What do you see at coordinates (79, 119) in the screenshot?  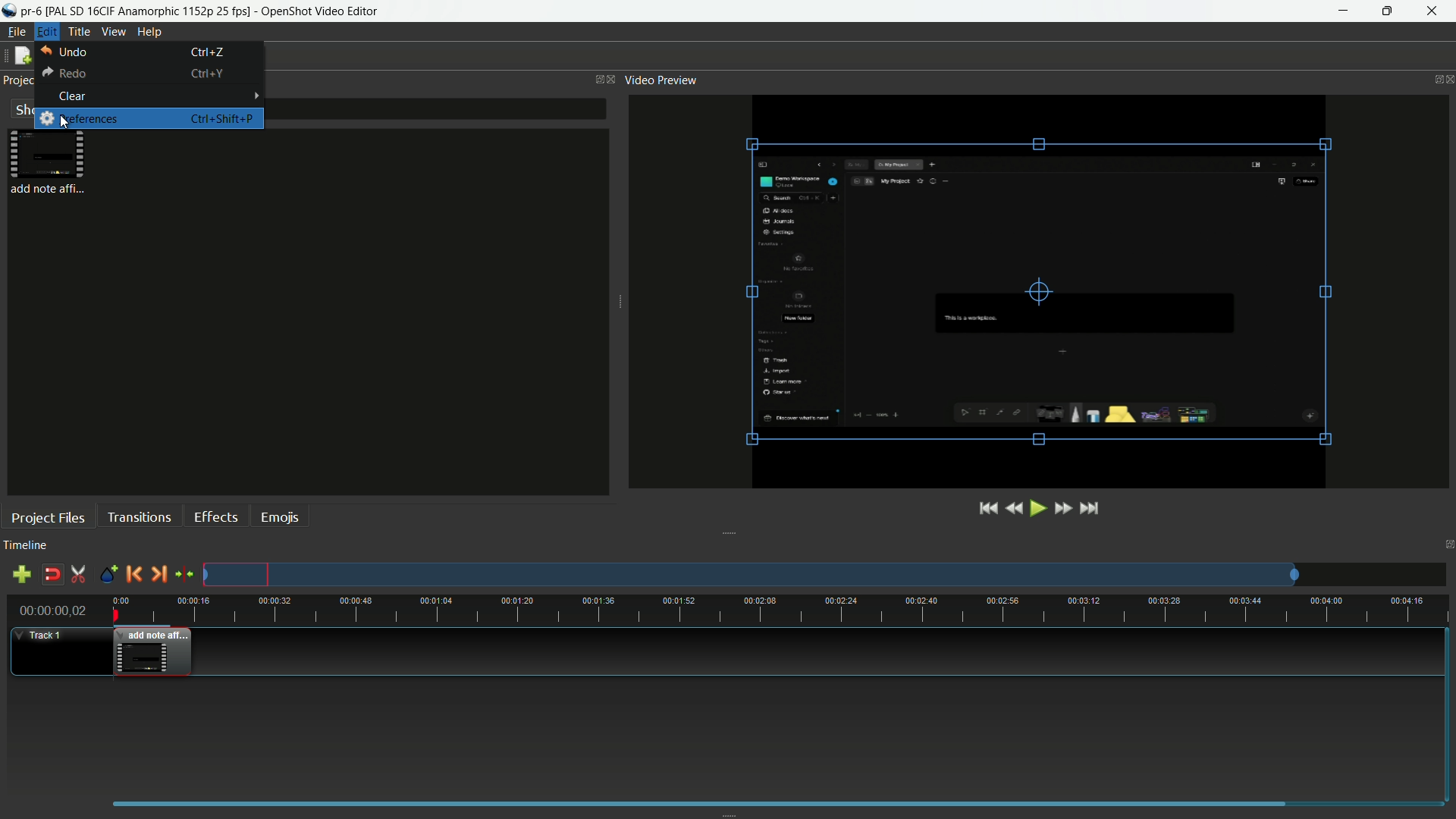 I see `preferences` at bounding box center [79, 119].